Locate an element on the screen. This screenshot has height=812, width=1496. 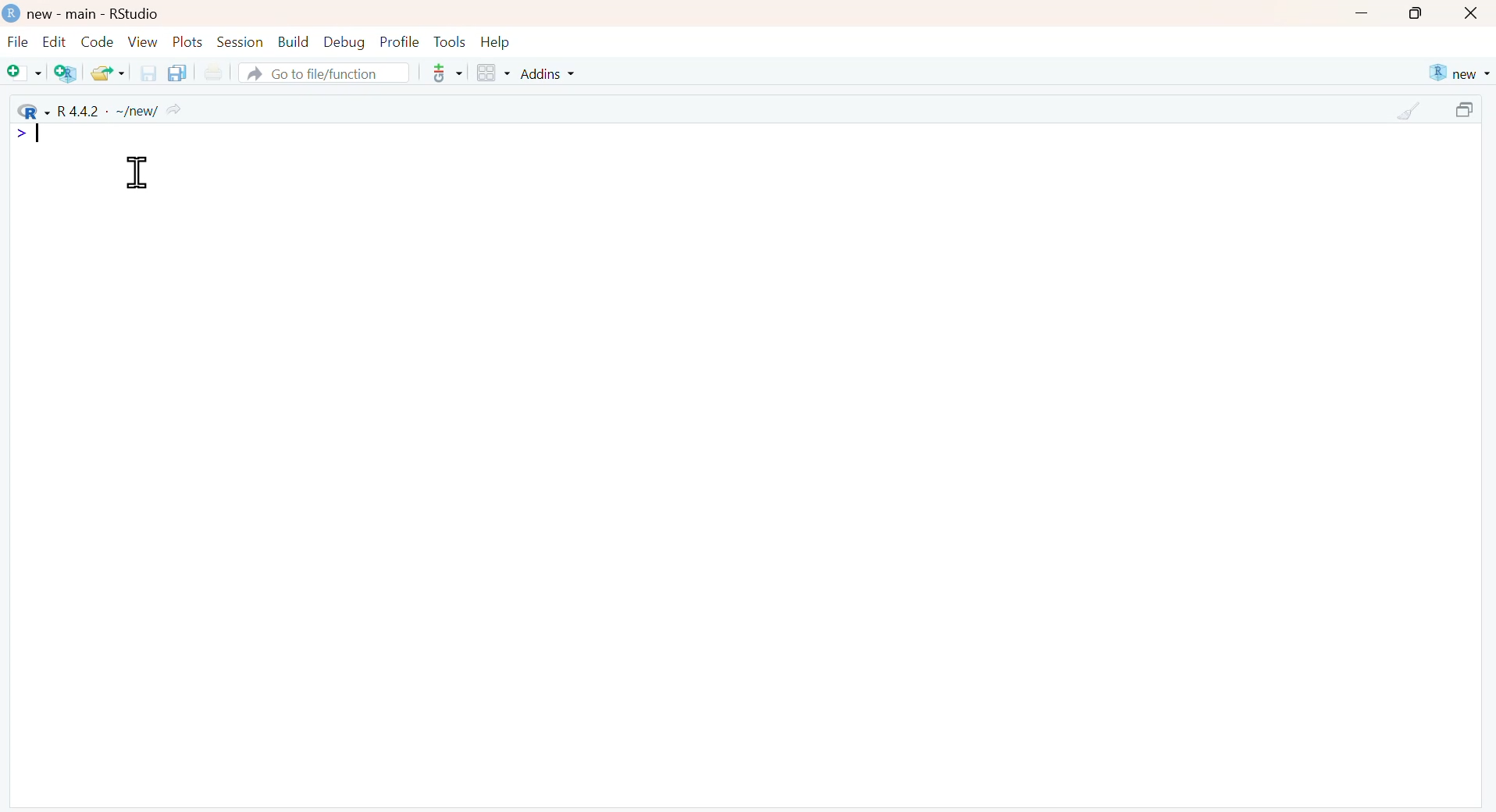
save the current document is located at coordinates (146, 73).